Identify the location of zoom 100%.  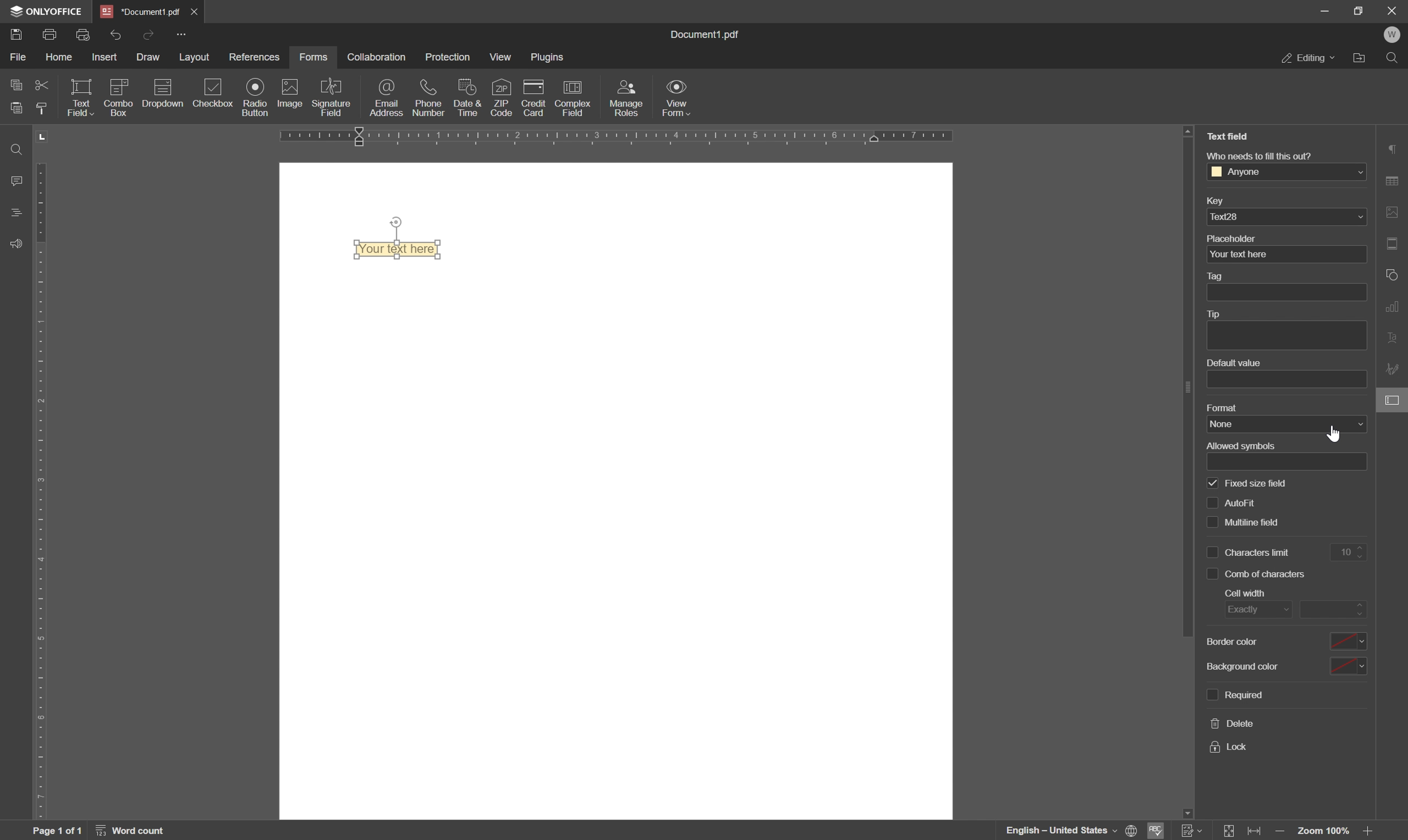
(1325, 832).